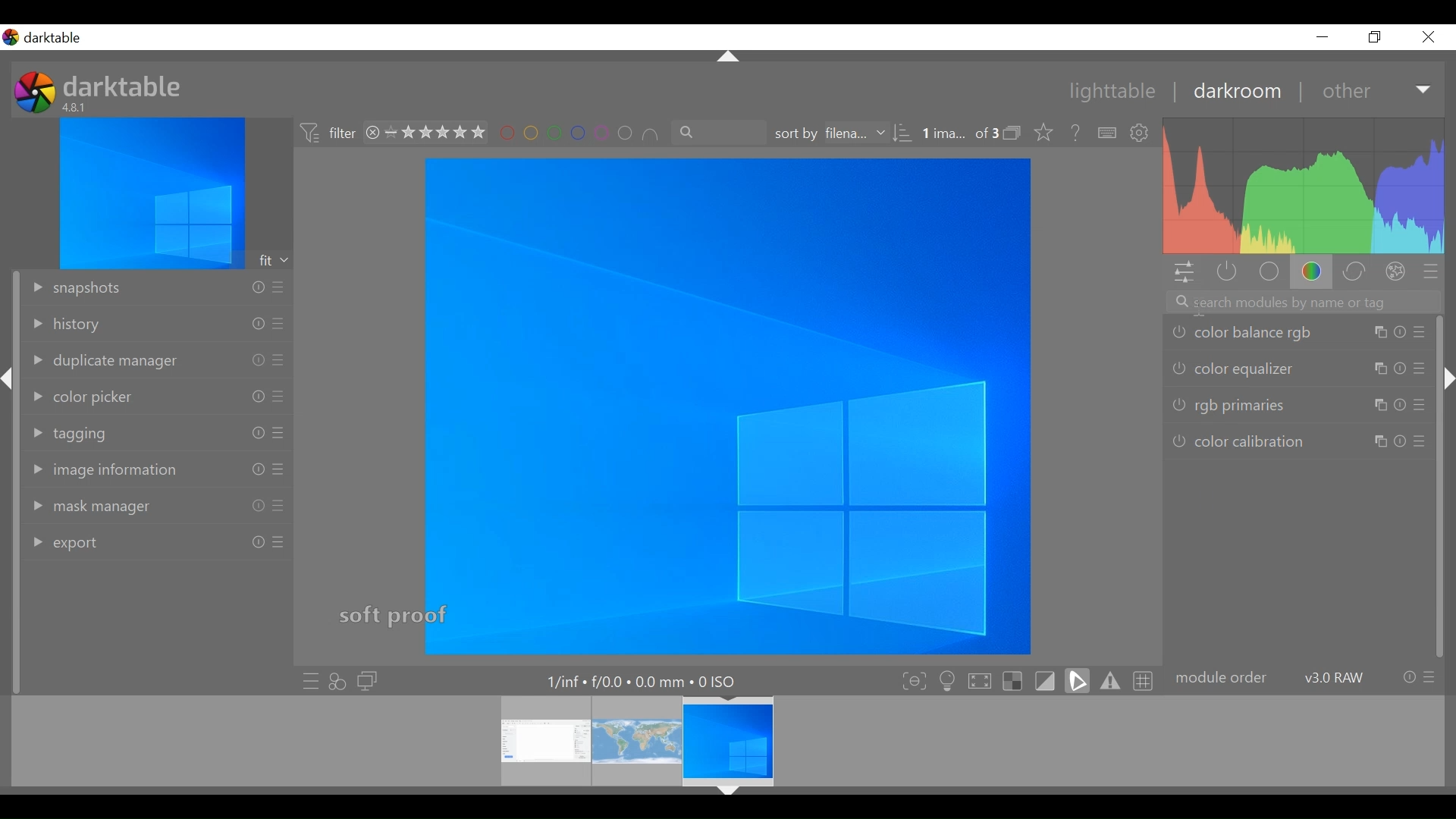 This screenshot has width=1456, height=819. I want to click on snapshot, so click(74, 289).